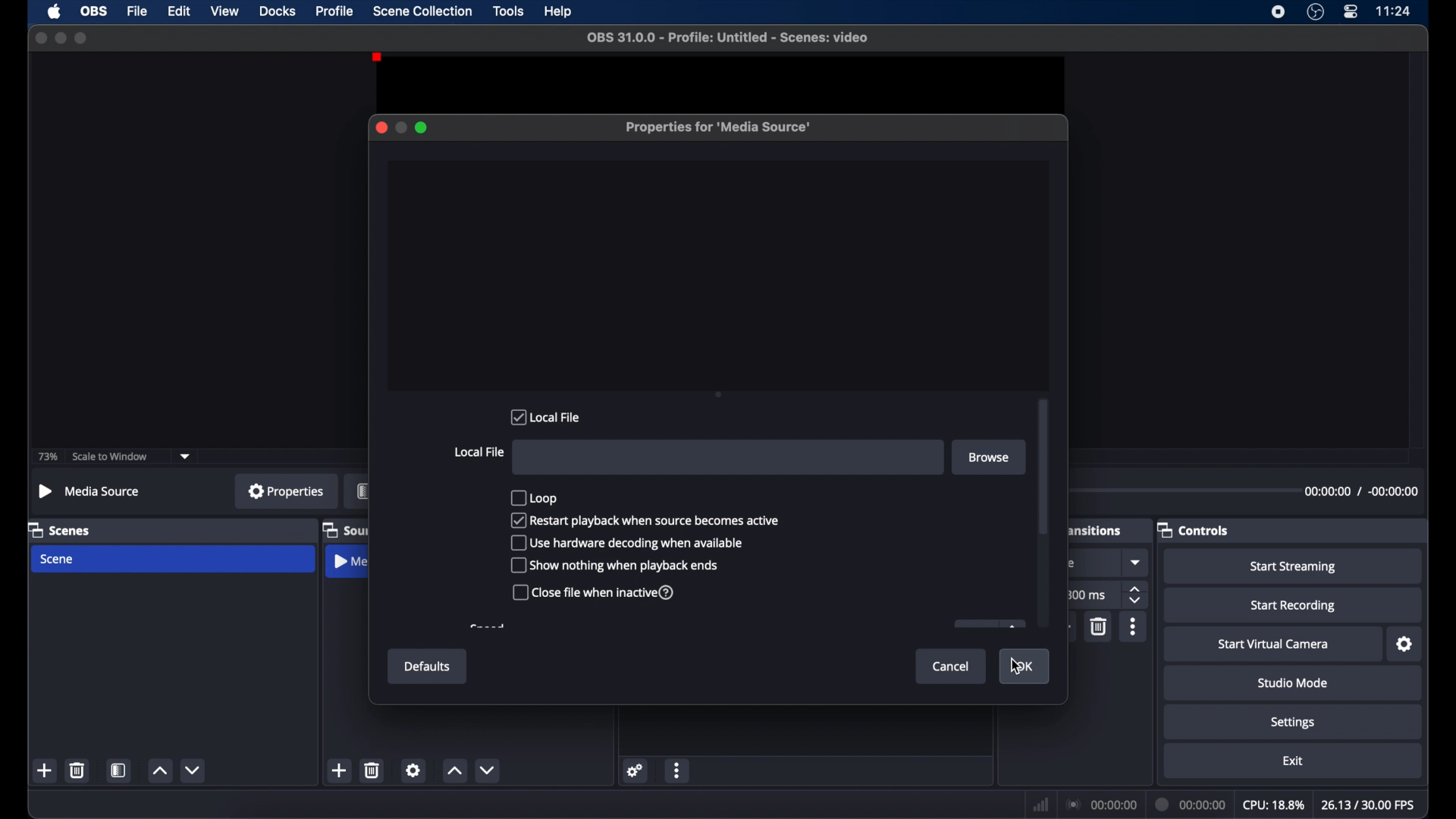 The width and height of the screenshot is (1456, 819). I want to click on settings, so click(635, 770).